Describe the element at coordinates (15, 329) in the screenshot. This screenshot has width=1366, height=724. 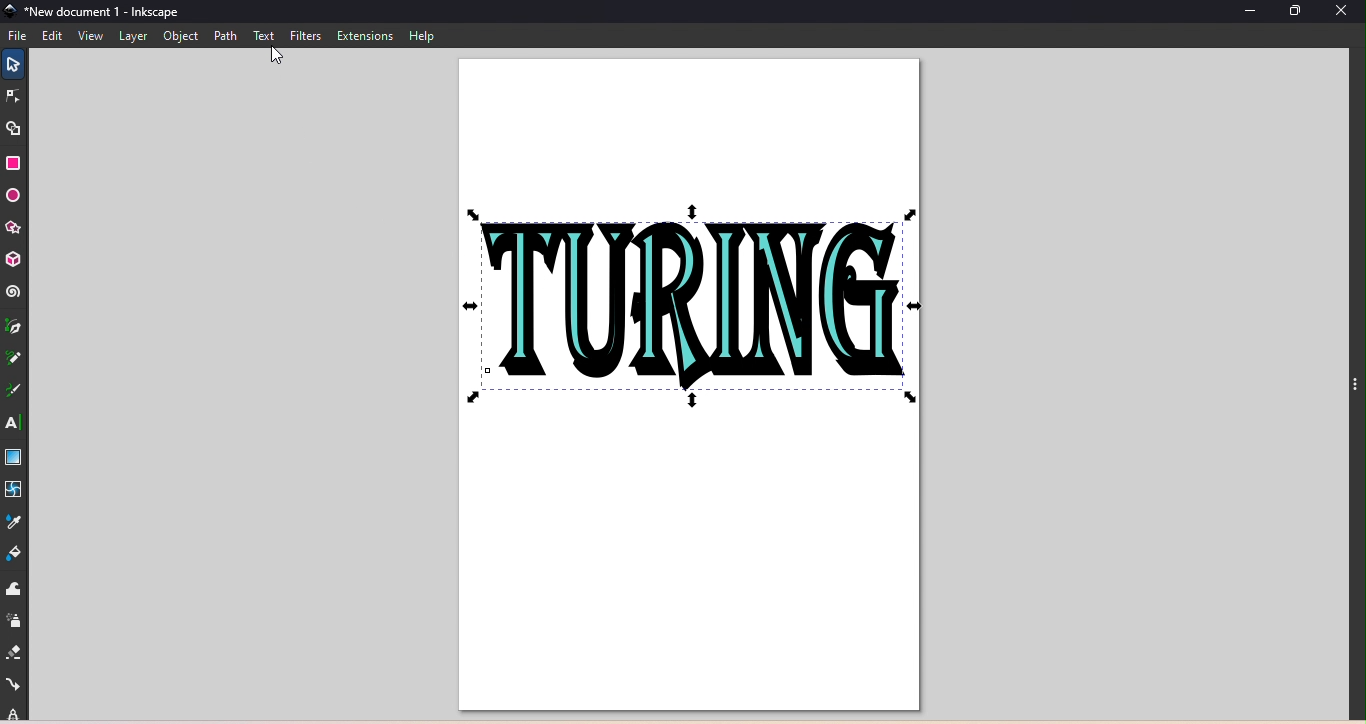
I see `Pen tool` at that location.